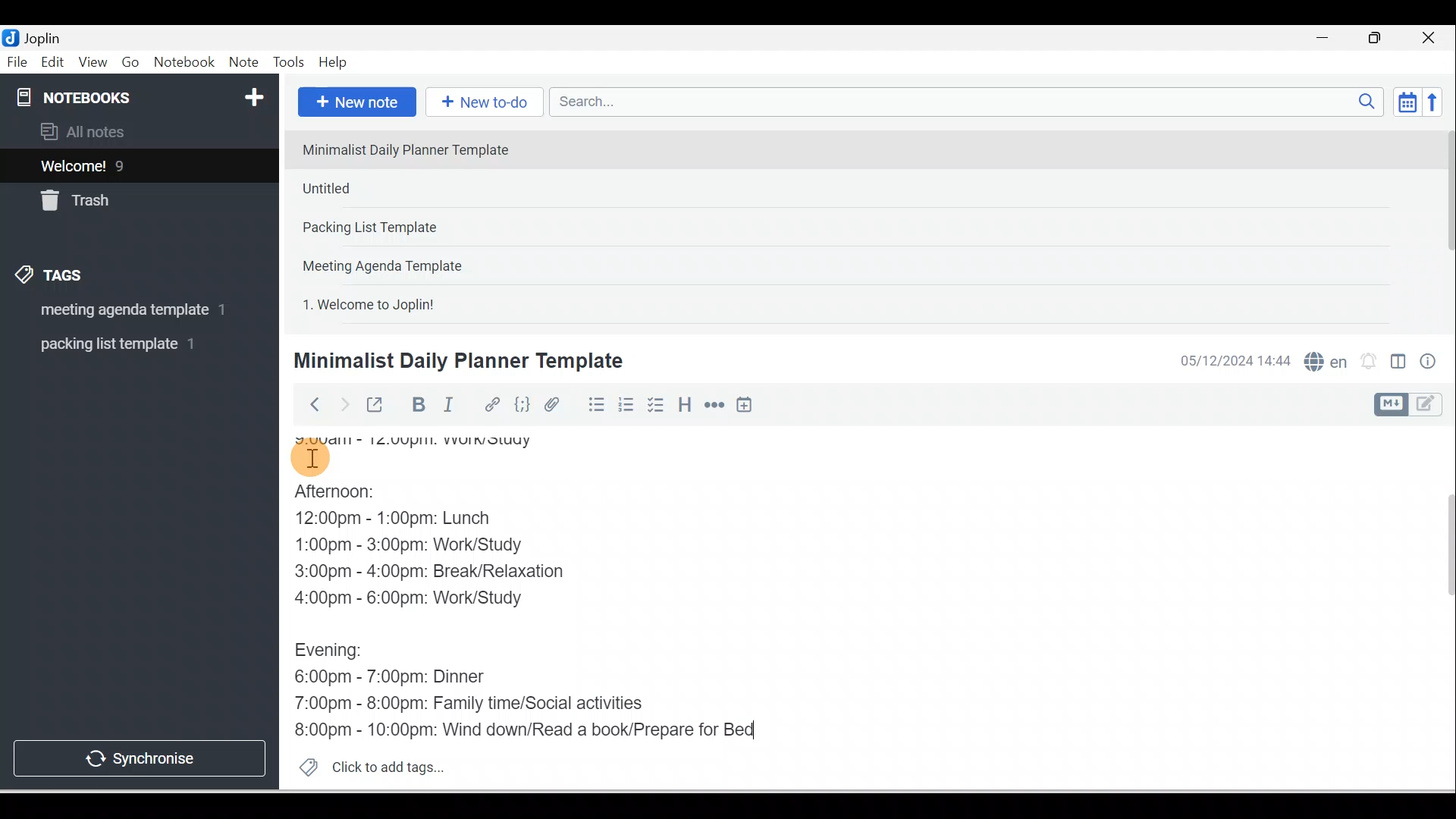 The image size is (1456, 819). What do you see at coordinates (401, 188) in the screenshot?
I see `Note 2` at bounding box center [401, 188].